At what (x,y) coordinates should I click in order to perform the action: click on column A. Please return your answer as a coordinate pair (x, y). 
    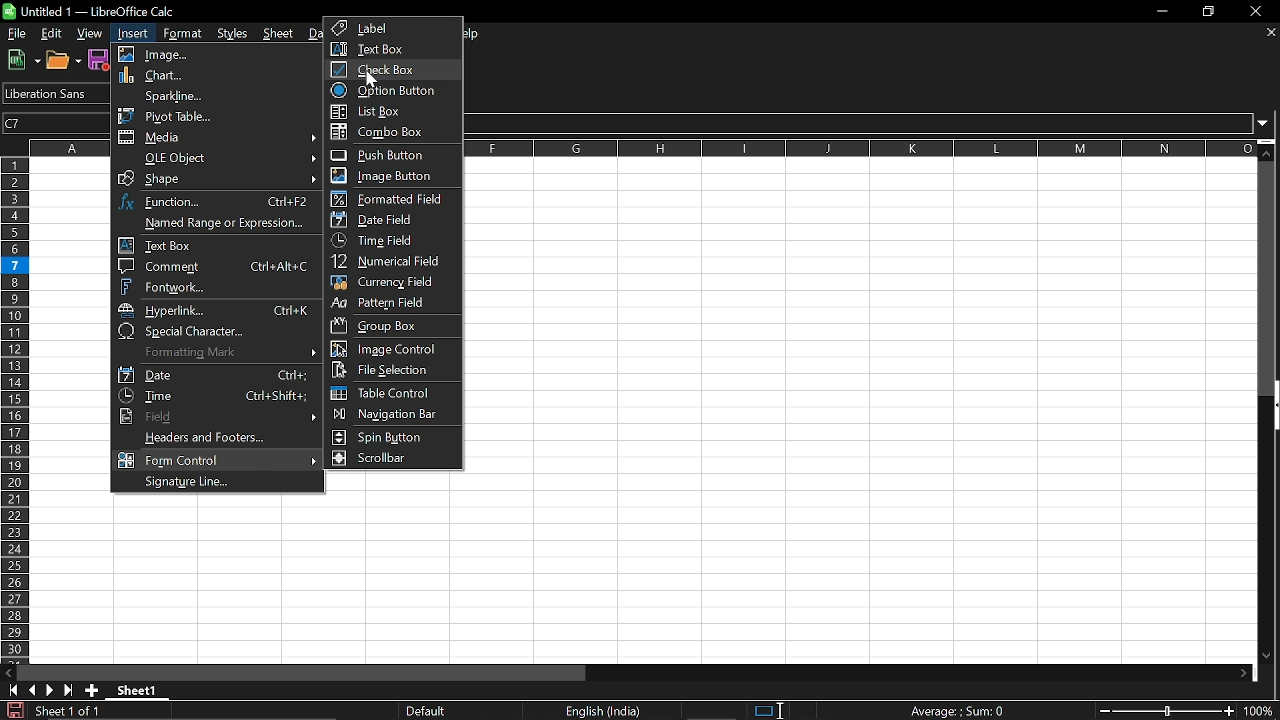
    Looking at the image, I should click on (70, 147).